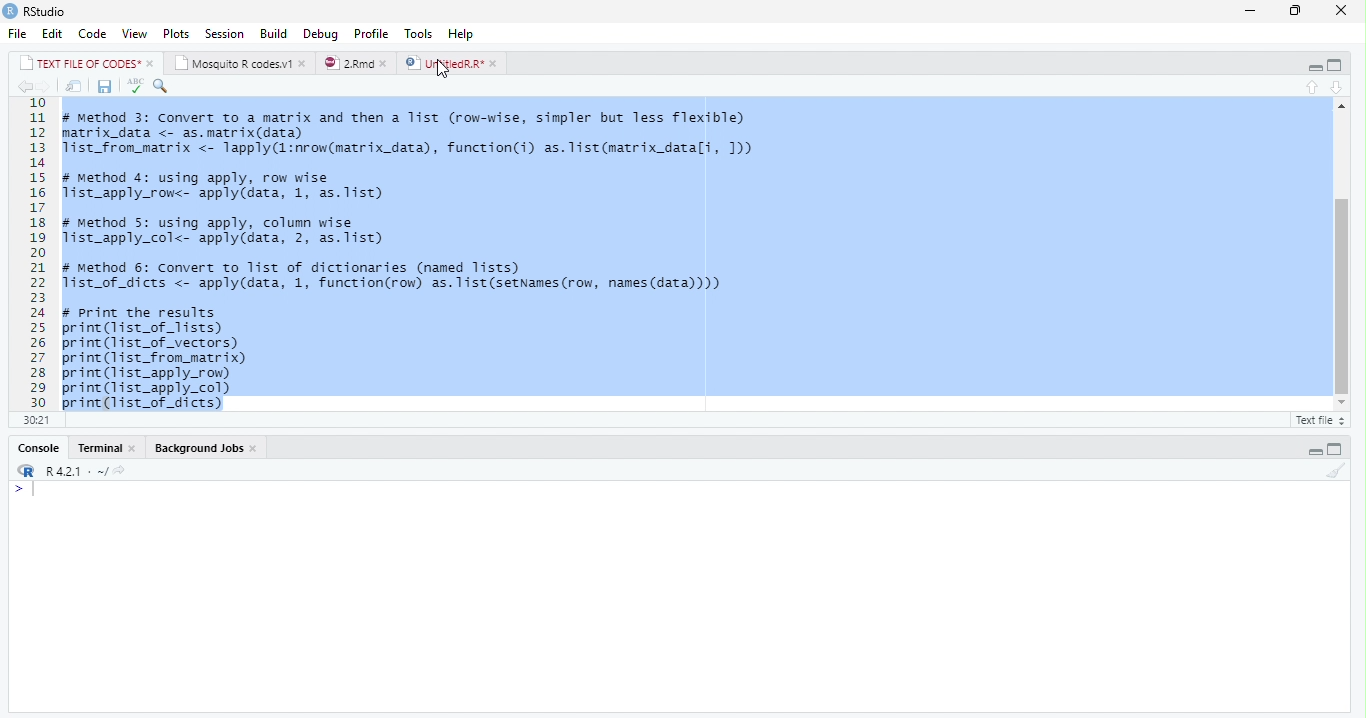 This screenshot has width=1366, height=718. Describe the element at coordinates (1296, 11) in the screenshot. I see `Maximize` at that location.